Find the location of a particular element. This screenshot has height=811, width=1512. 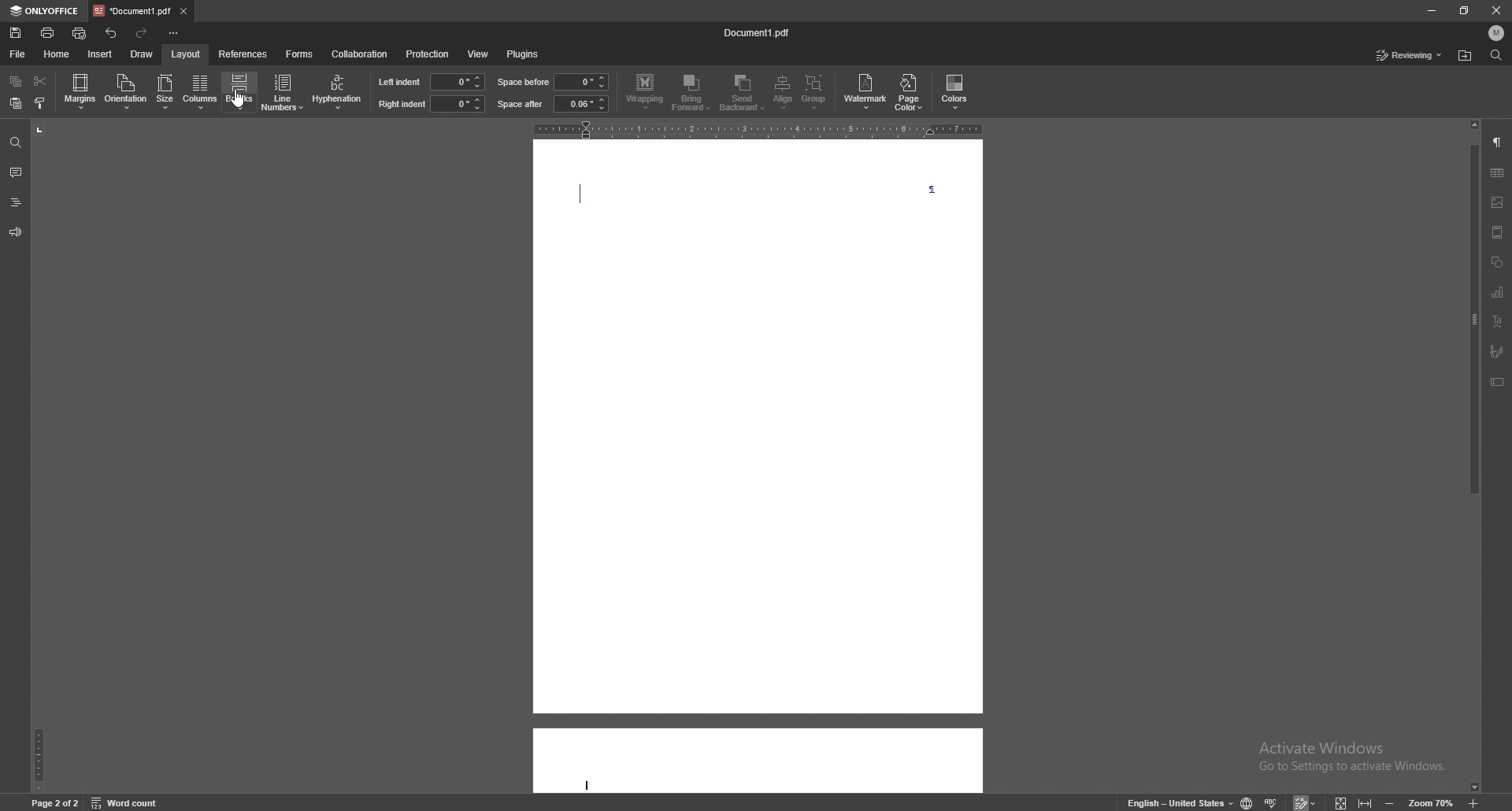

horizontal scaling is located at coordinates (754, 128).